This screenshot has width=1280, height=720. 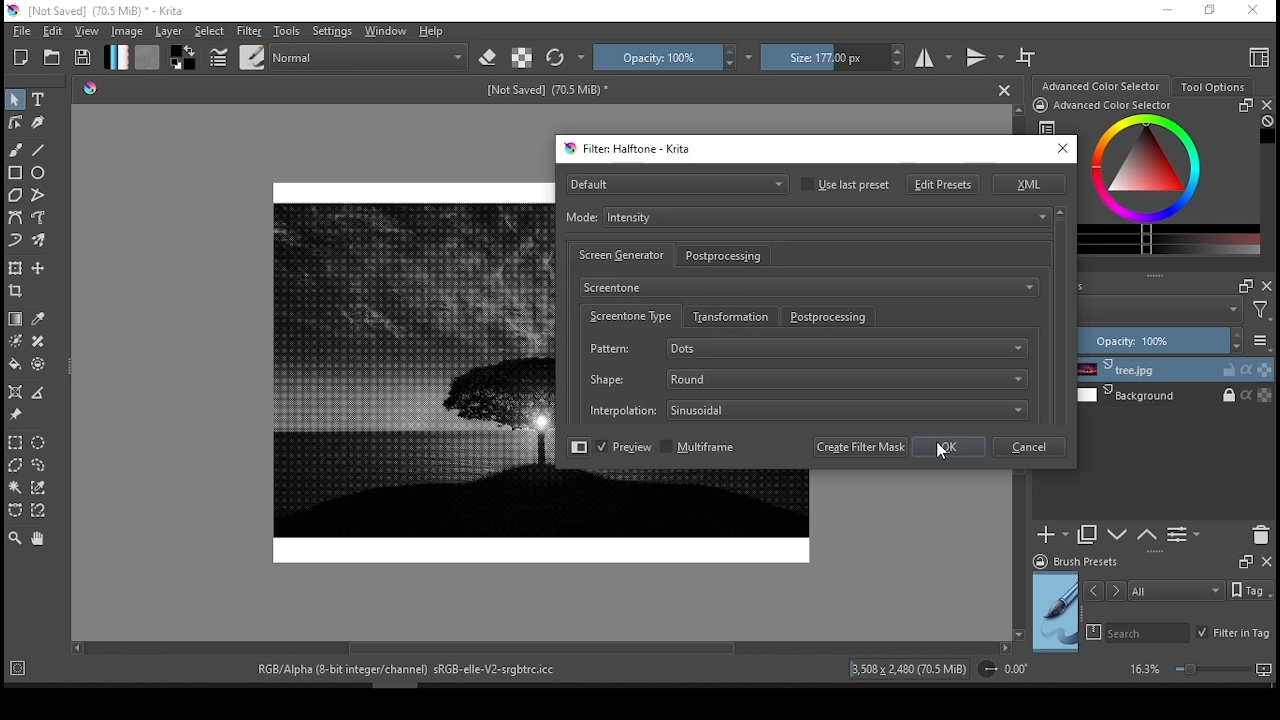 What do you see at coordinates (90, 89) in the screenshot?
I see `Picker` at bounding box center [90, 89].